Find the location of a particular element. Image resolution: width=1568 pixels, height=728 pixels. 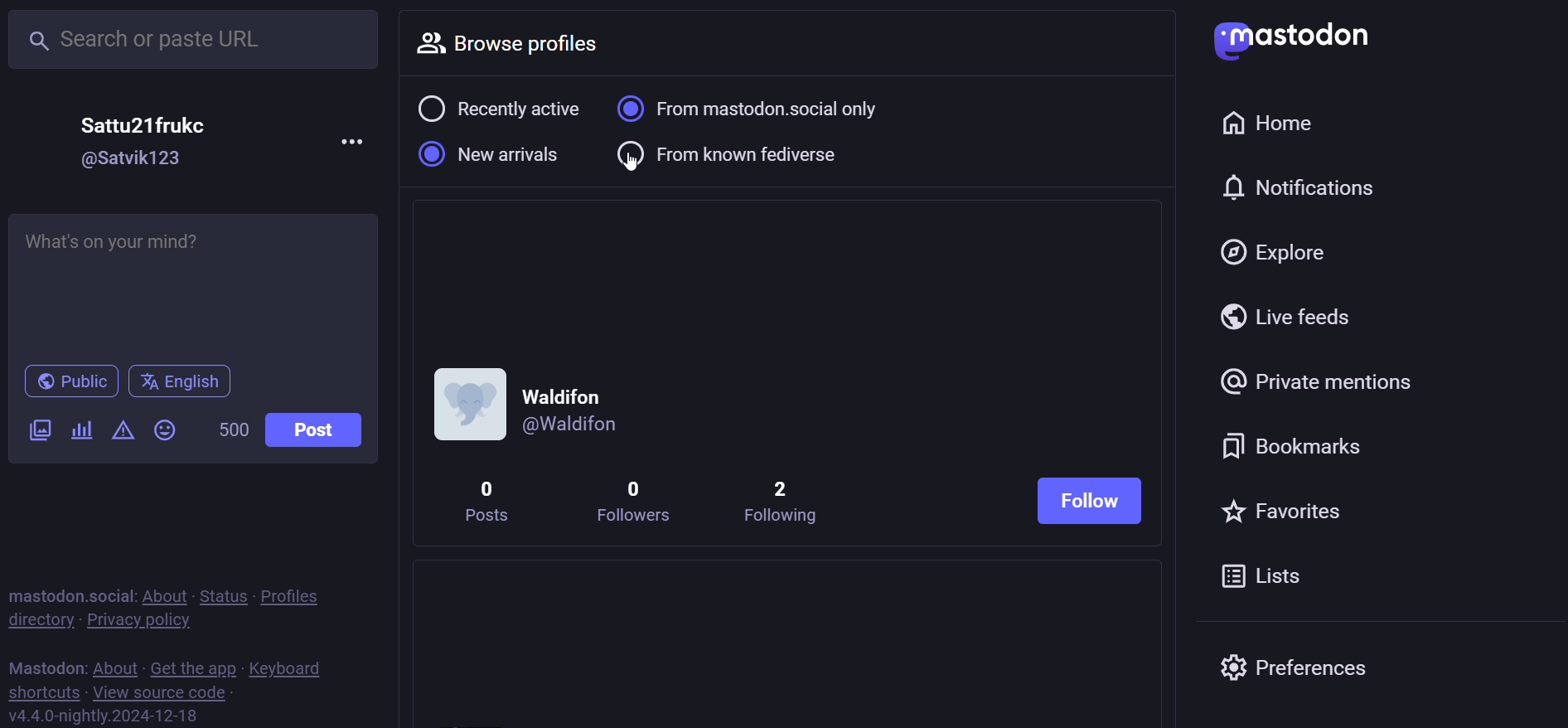

selected new arrival is located at coordinates (491, 156).